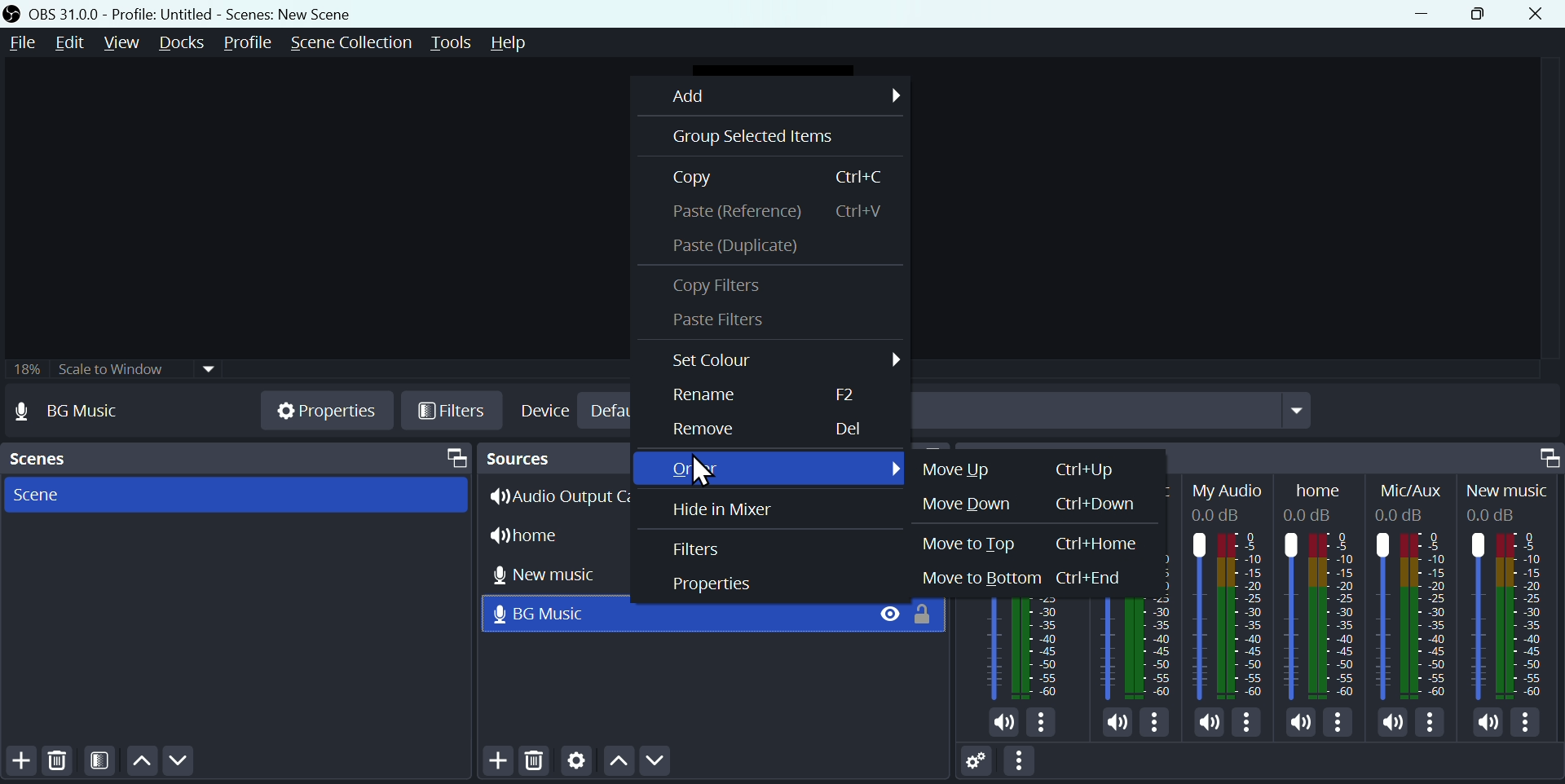 This screenshot has height=784, width=1565. I want to click on , so click(708, 429).